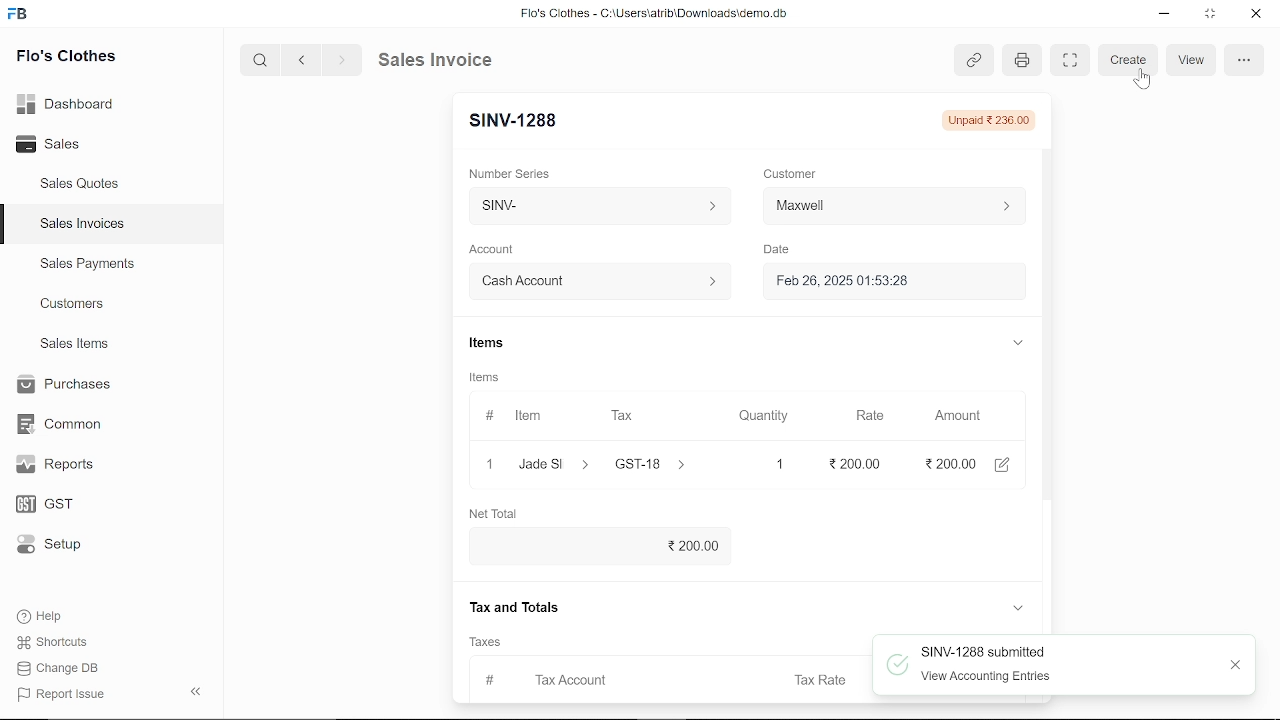 The height and width of the screenshot is (720, 1280). Describe the element at coordinates (62, 505) in the screenshot. I see `GST` at that location.